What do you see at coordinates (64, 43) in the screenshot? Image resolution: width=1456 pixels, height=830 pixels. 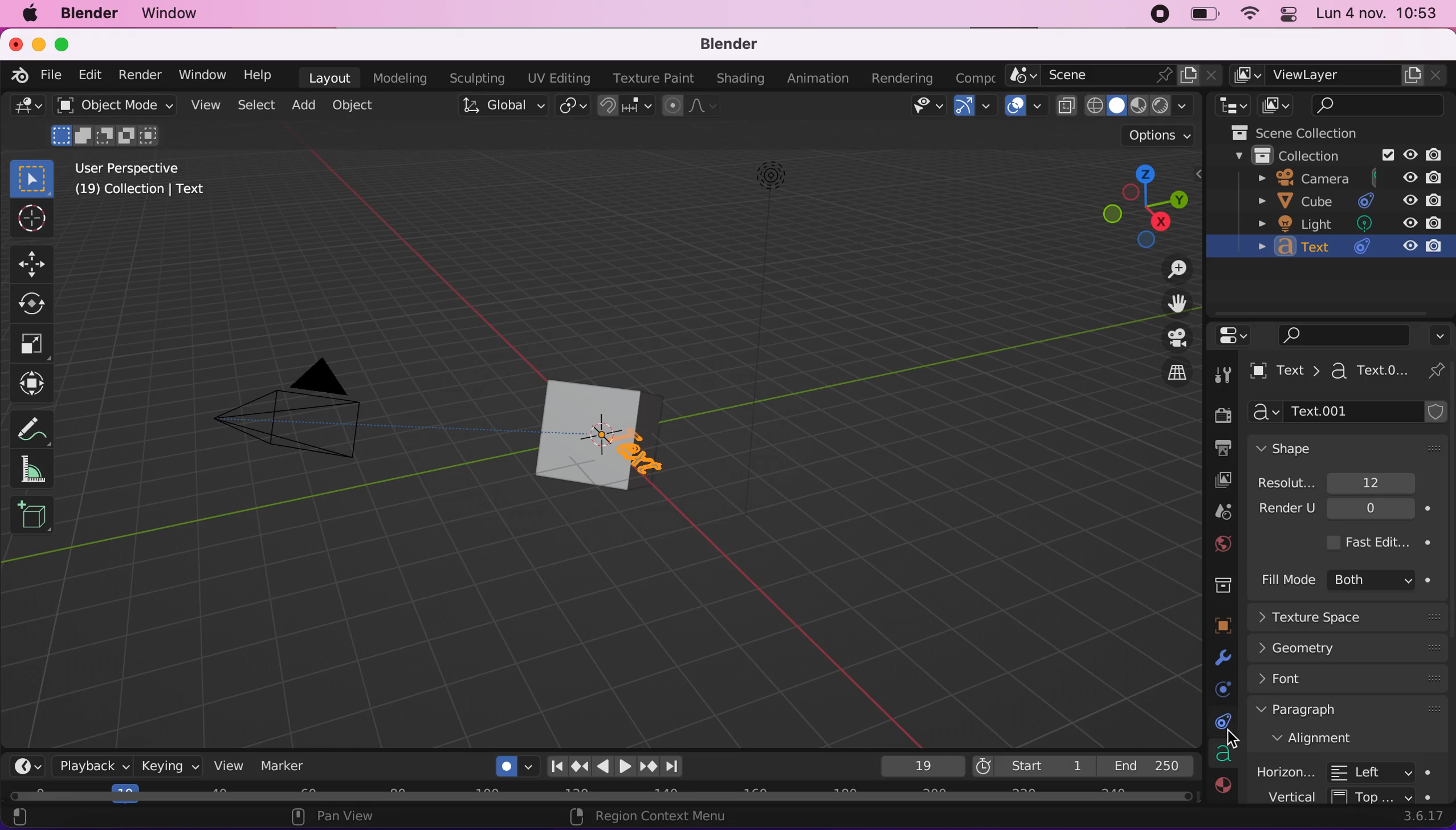 I see `maximize` at bounding box center [64, 43].